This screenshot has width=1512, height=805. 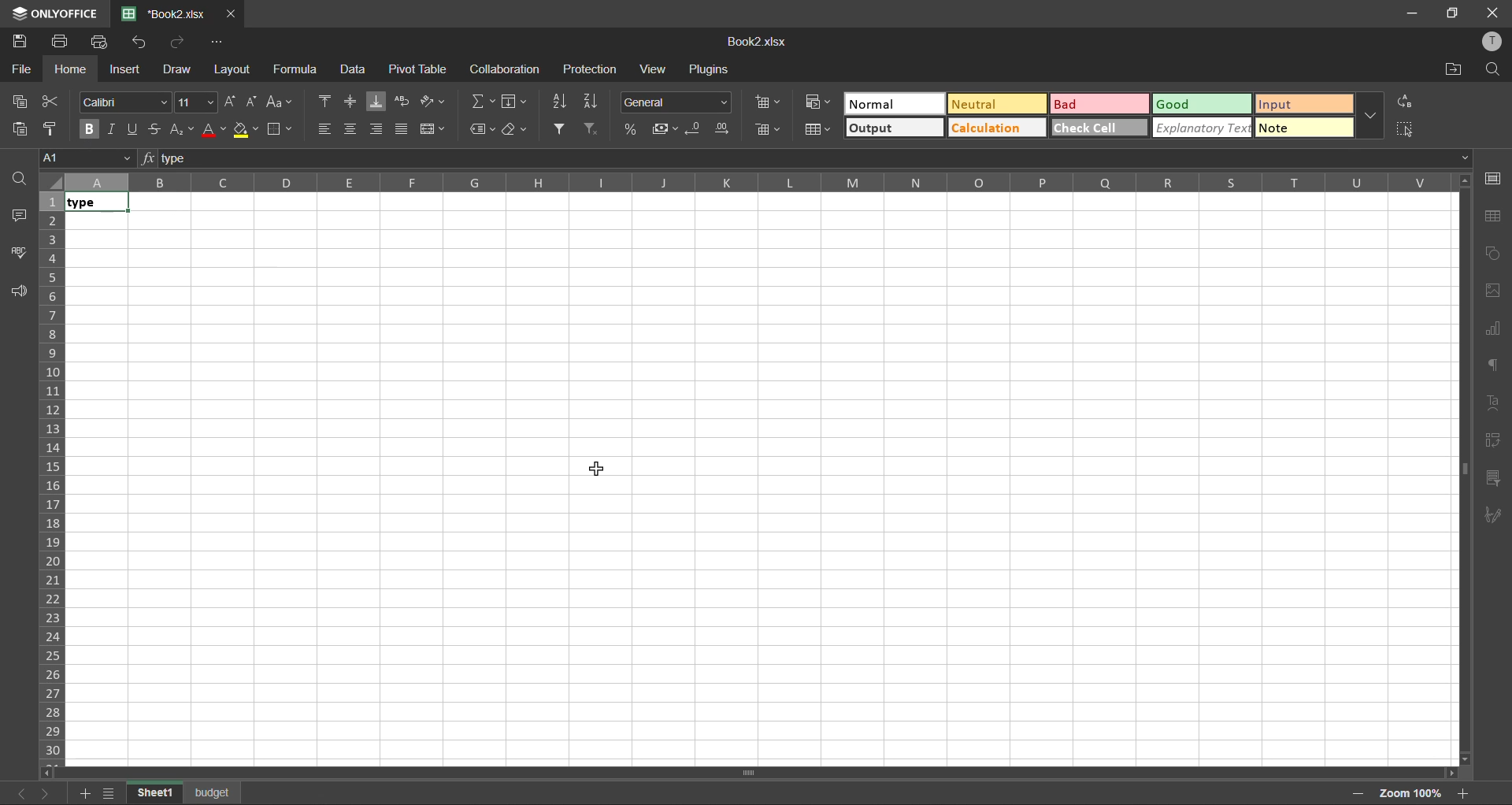 I want to click on increment size, so click(x=232, y=101).